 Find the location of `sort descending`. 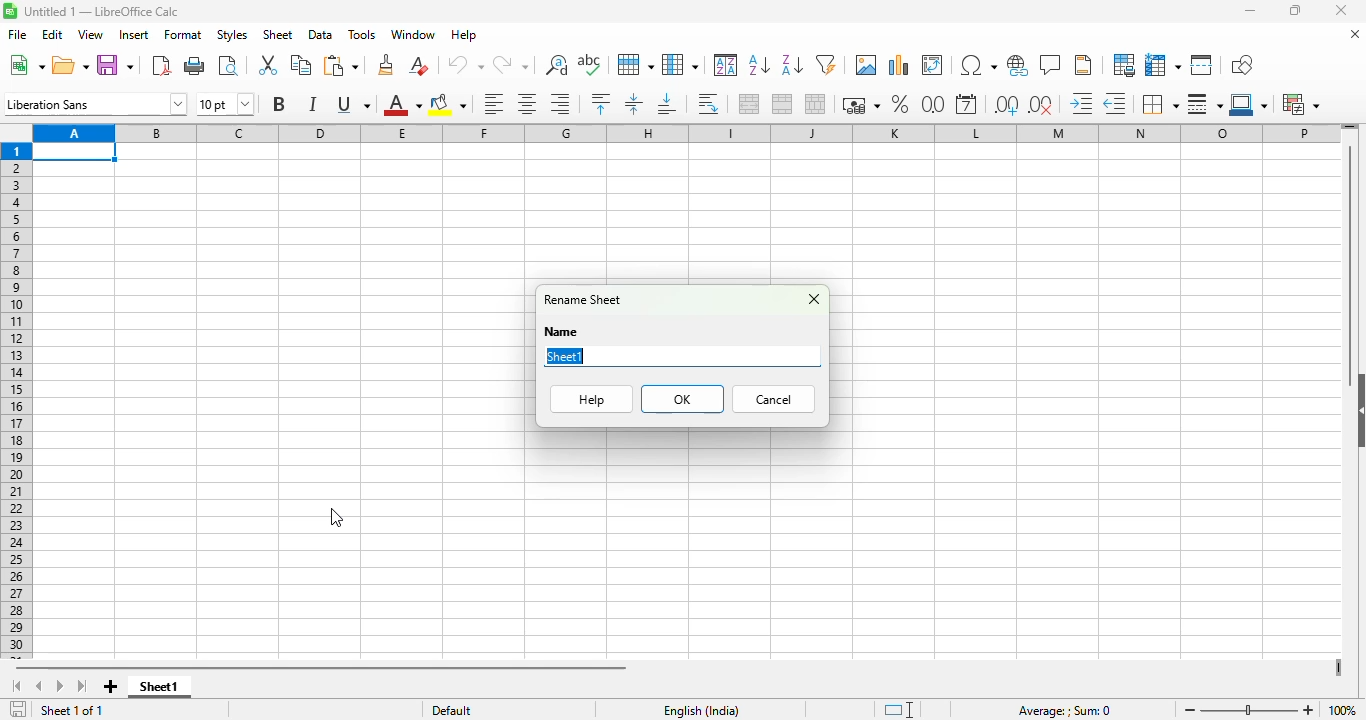

sort descending is located at coordinates (792, 66).